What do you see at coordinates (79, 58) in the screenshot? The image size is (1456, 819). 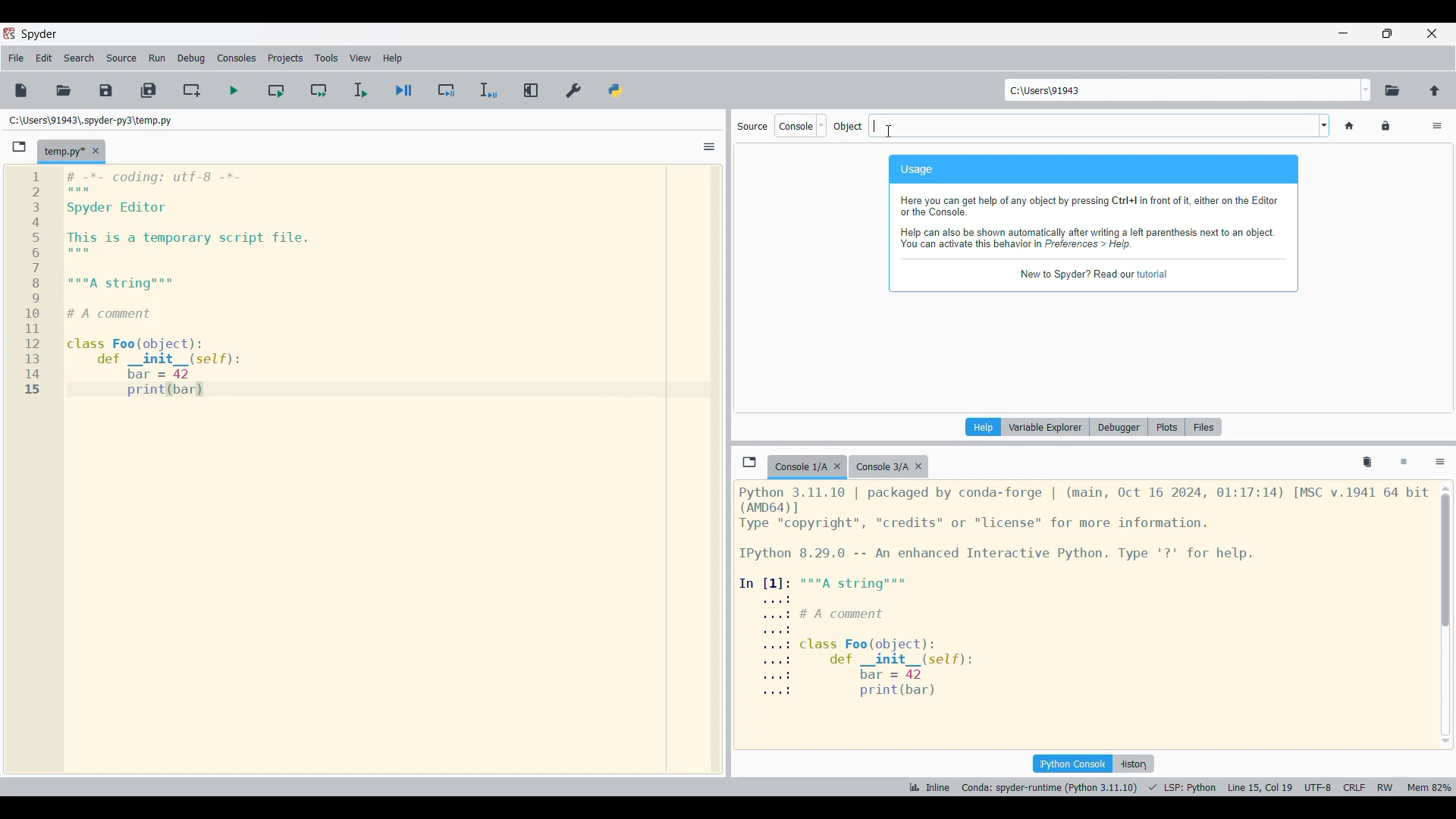 I see `Search menu` at bounding box center [79, 58].